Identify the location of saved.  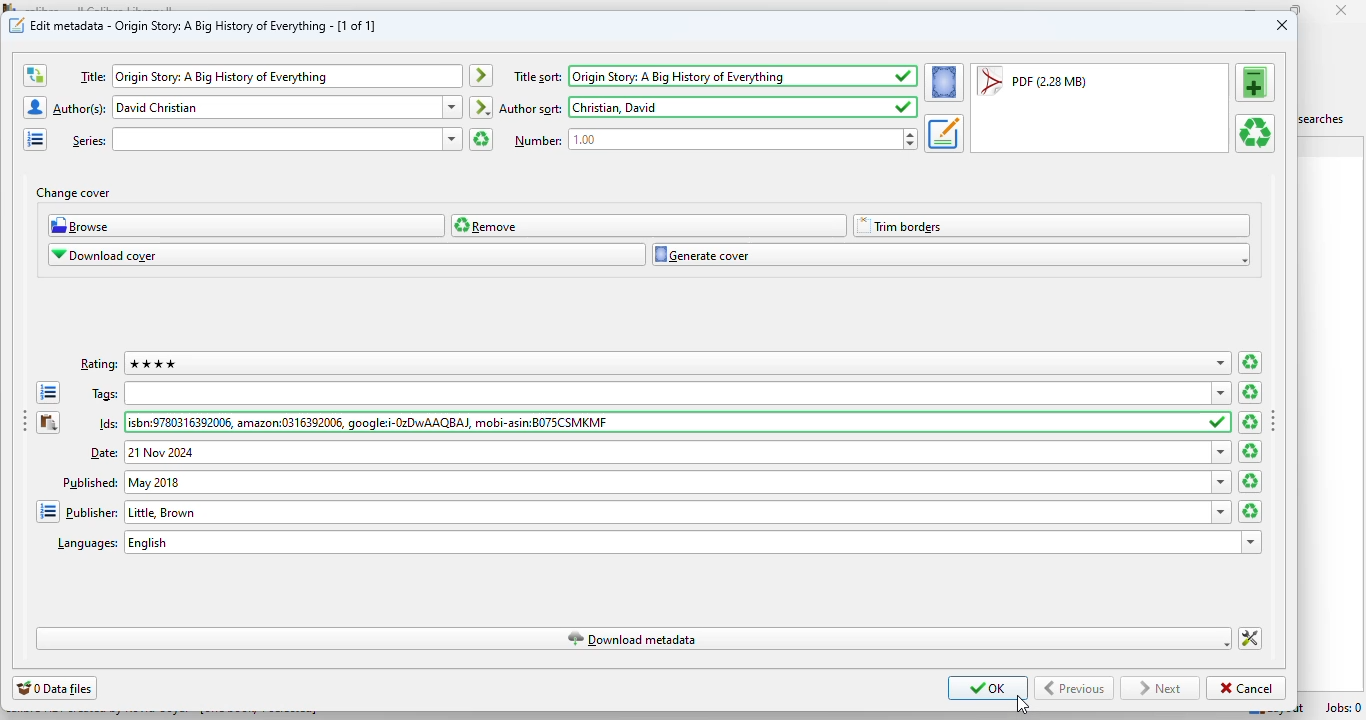
(1220, 422).